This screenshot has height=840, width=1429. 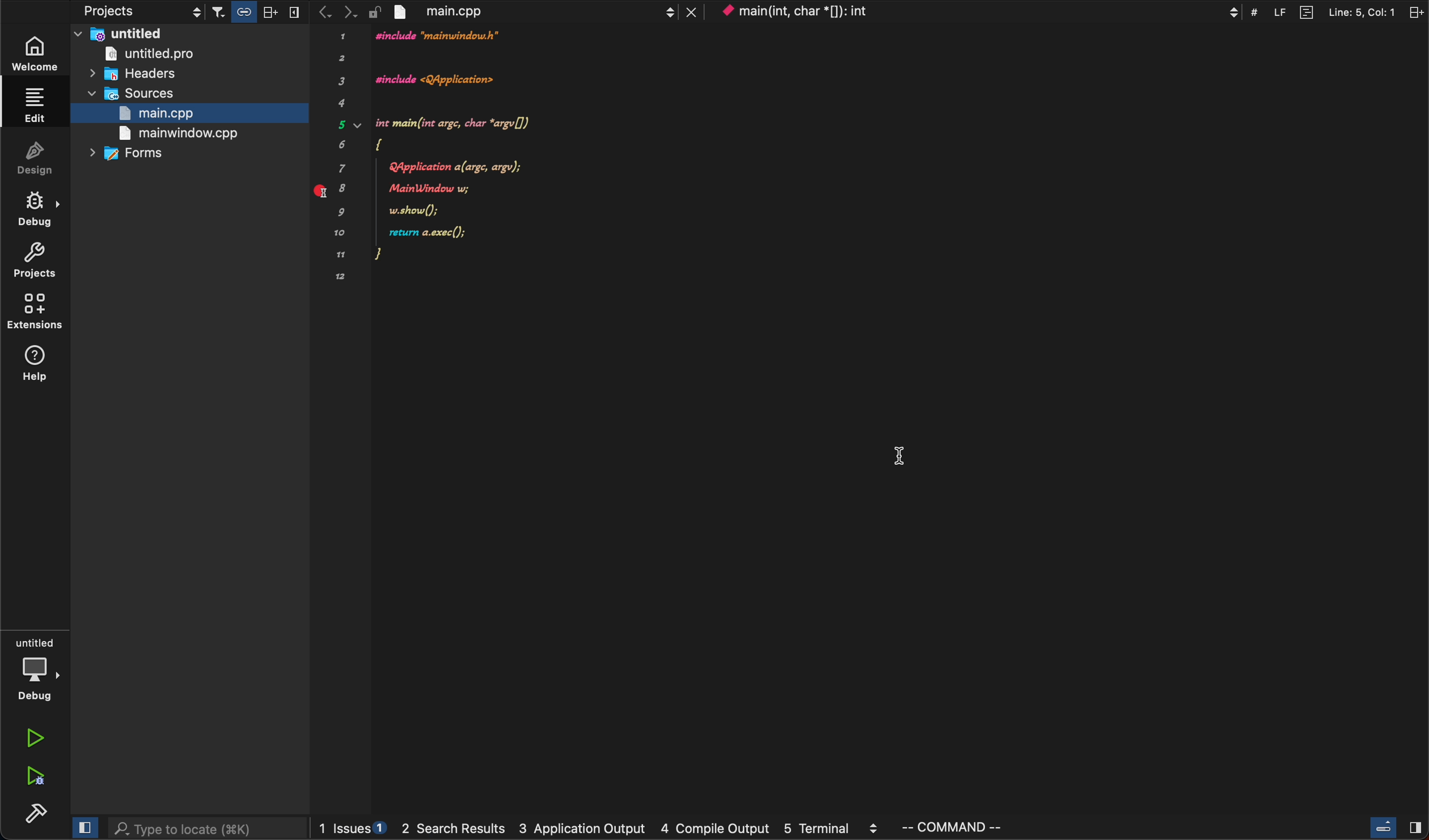 What do you see at coordinates (33, 740) in the screenshot?
I see `run` at bounding box center [33, 740].